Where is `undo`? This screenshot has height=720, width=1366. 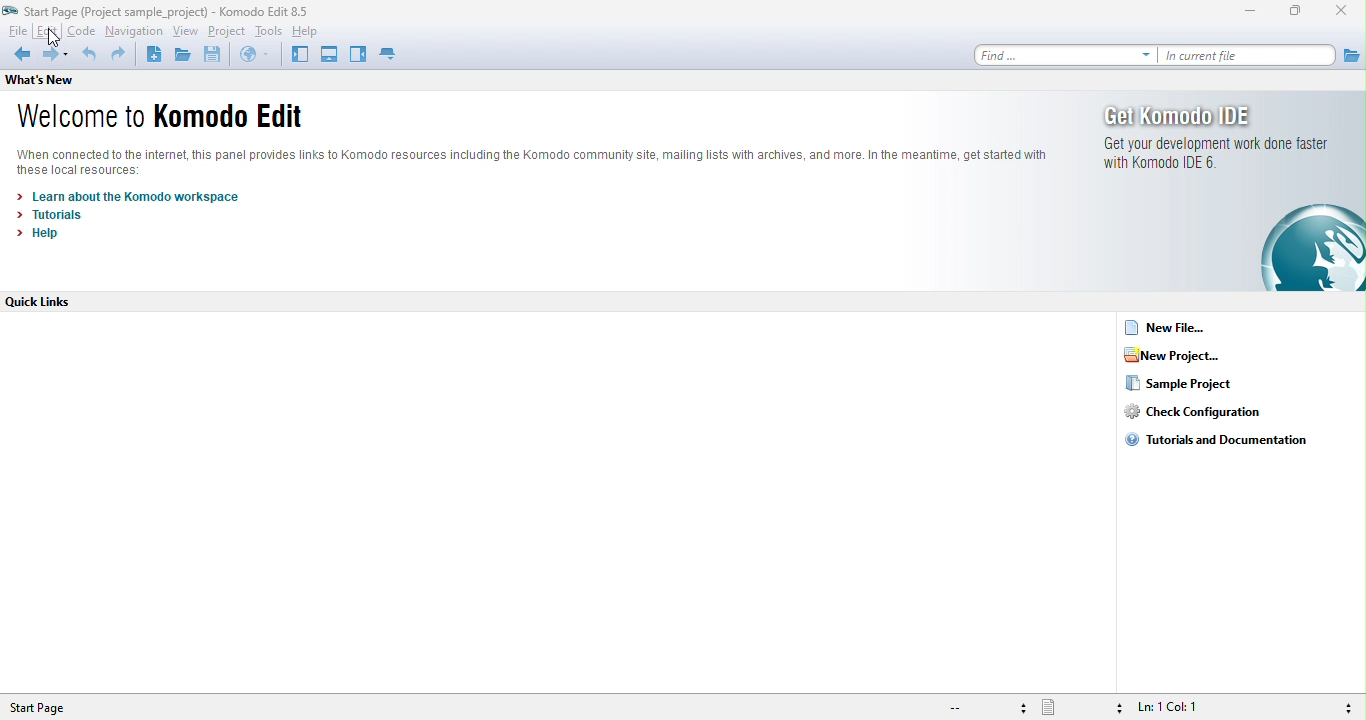 undo is located at coordinates (90, 57).